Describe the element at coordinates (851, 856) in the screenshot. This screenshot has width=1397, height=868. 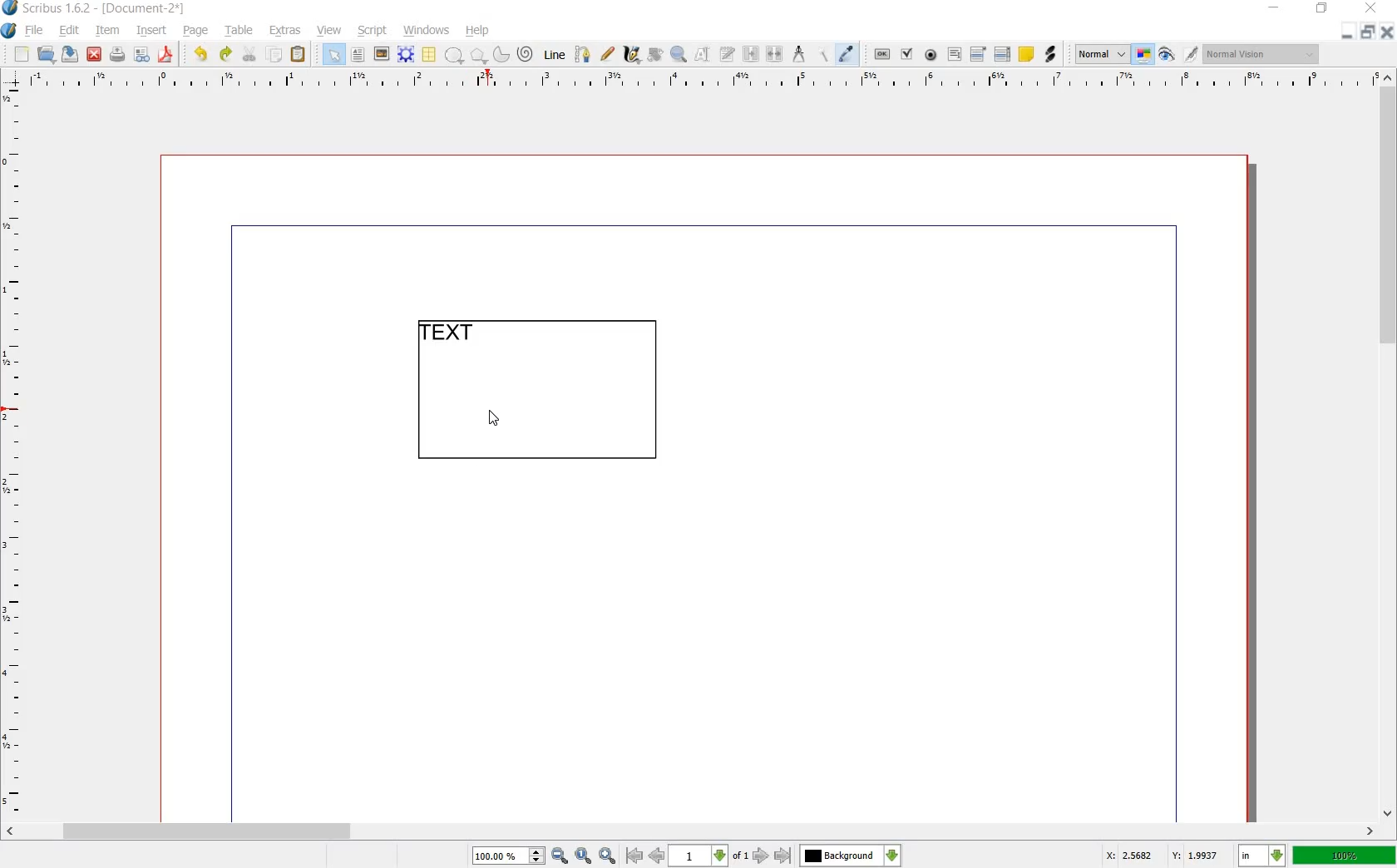
I see `Background` at that location.